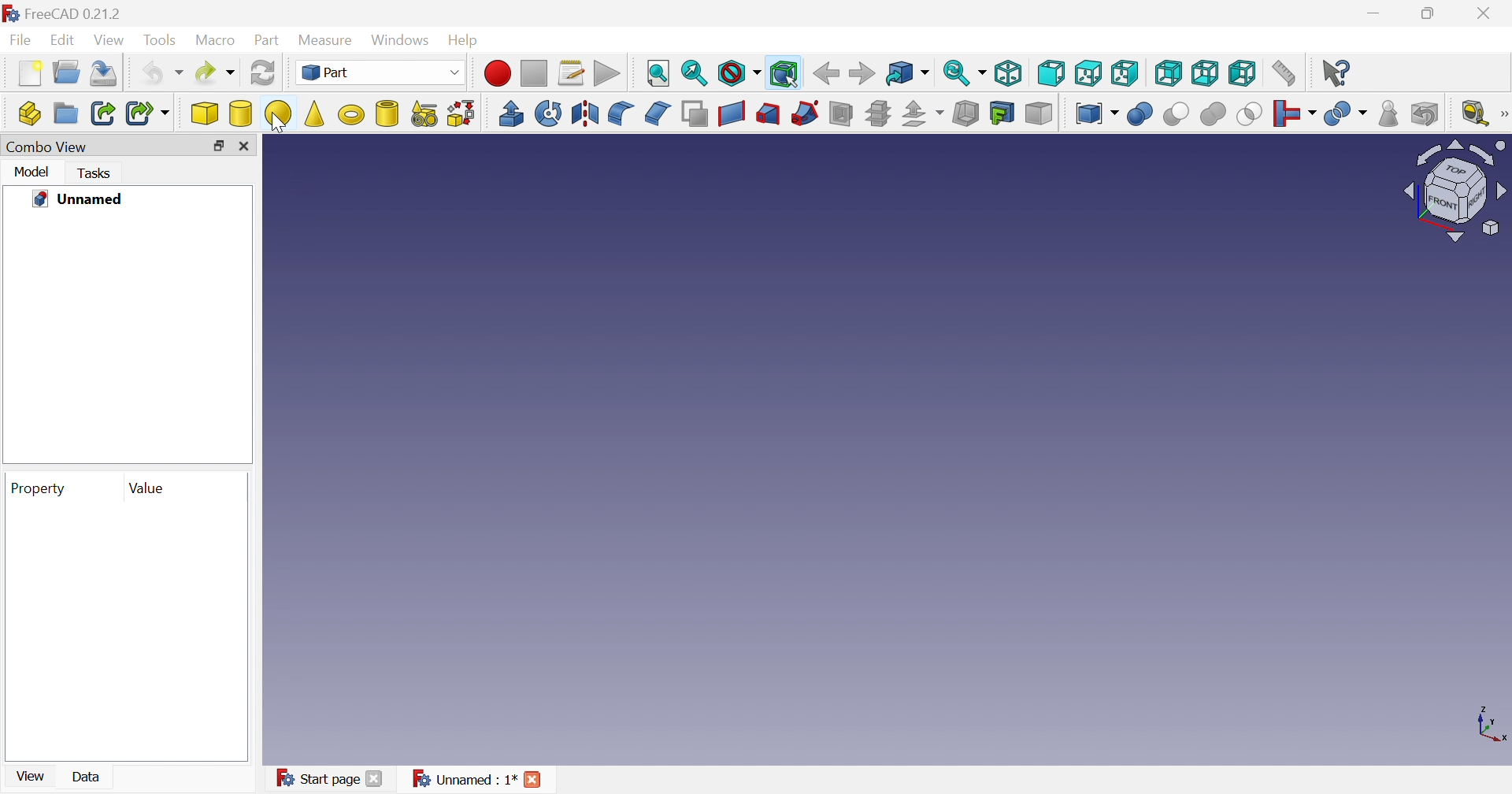 The image size is (1512, 794). I want to click on Minimize, so click(1379, 15).